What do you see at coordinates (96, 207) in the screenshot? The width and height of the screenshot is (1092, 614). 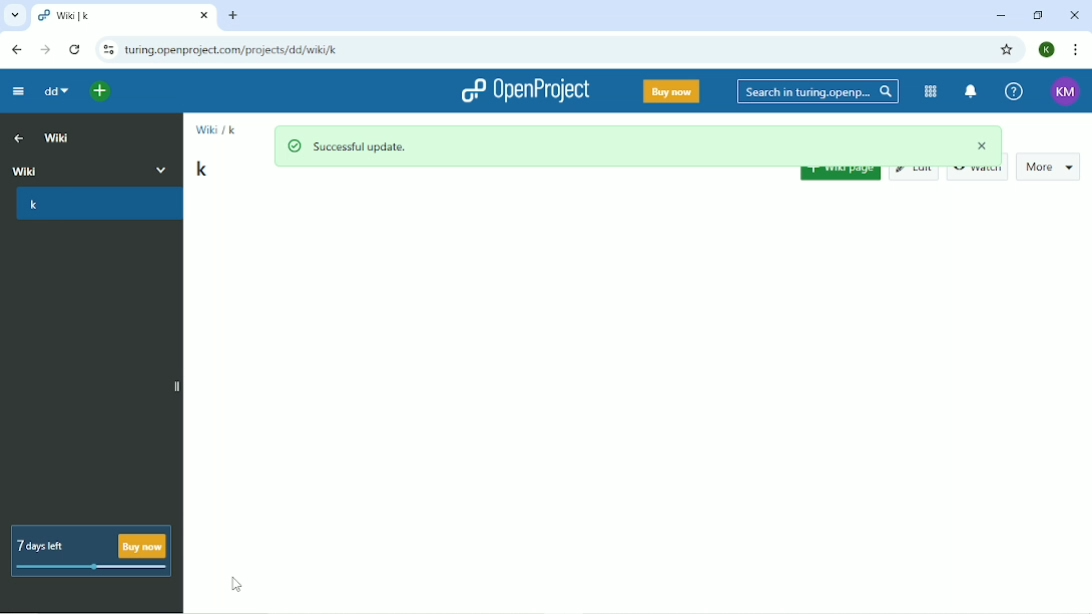 I see `k` at bounding box center [96, 207].